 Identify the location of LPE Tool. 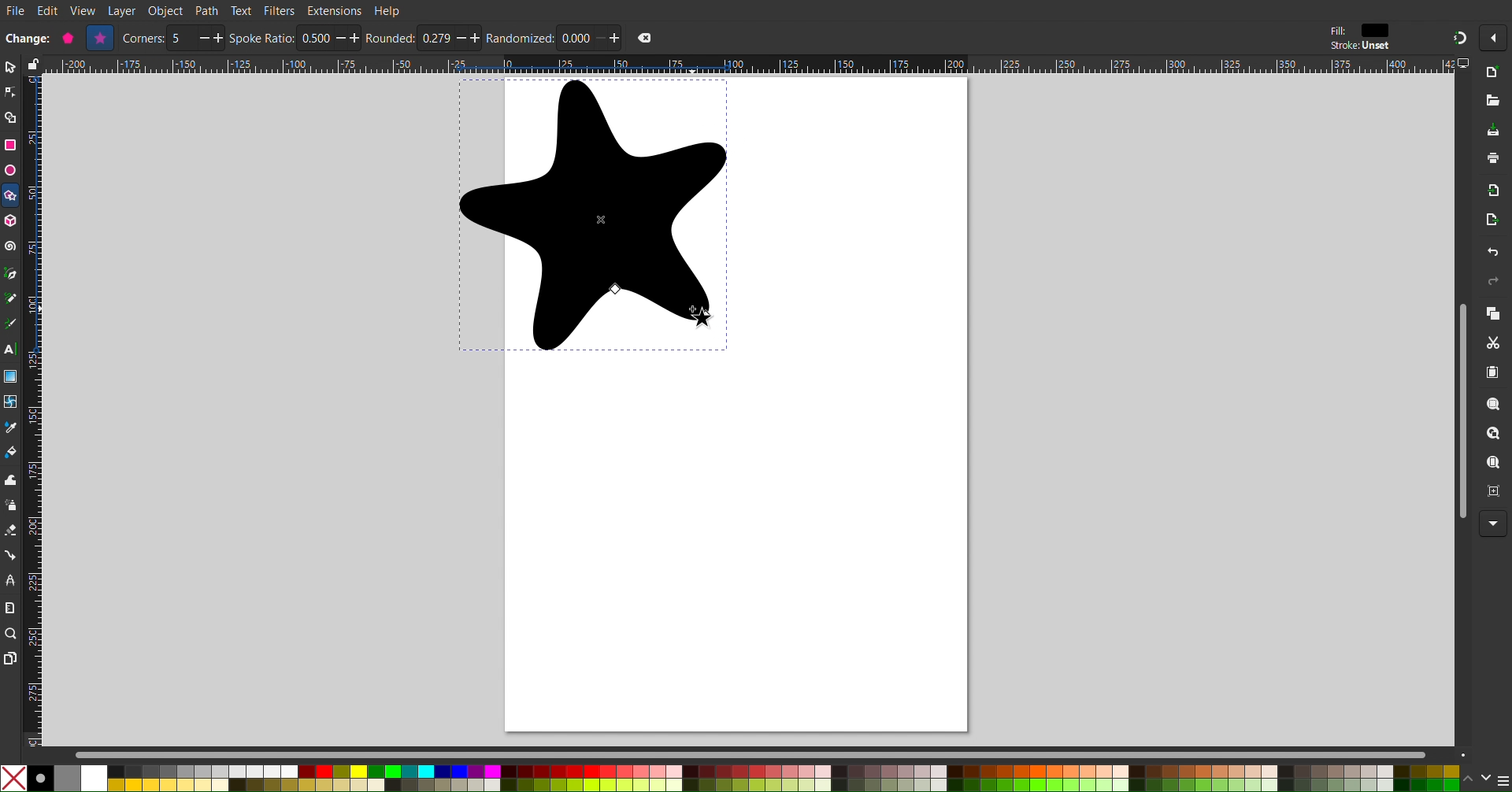
(10, 580).